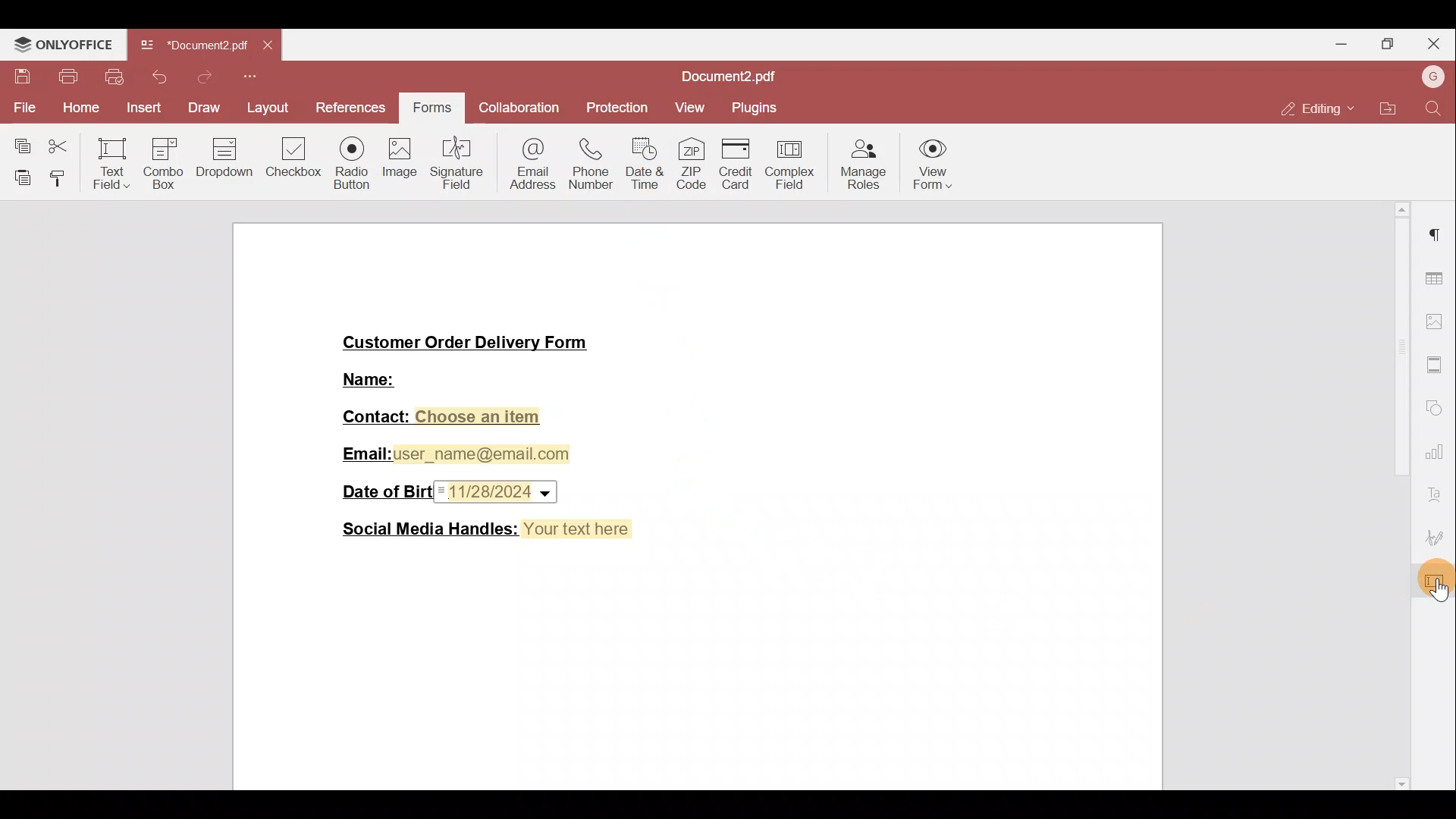 This screenshot has height=819, width=1456. I want to click on Dropdown, so click(226, 161).